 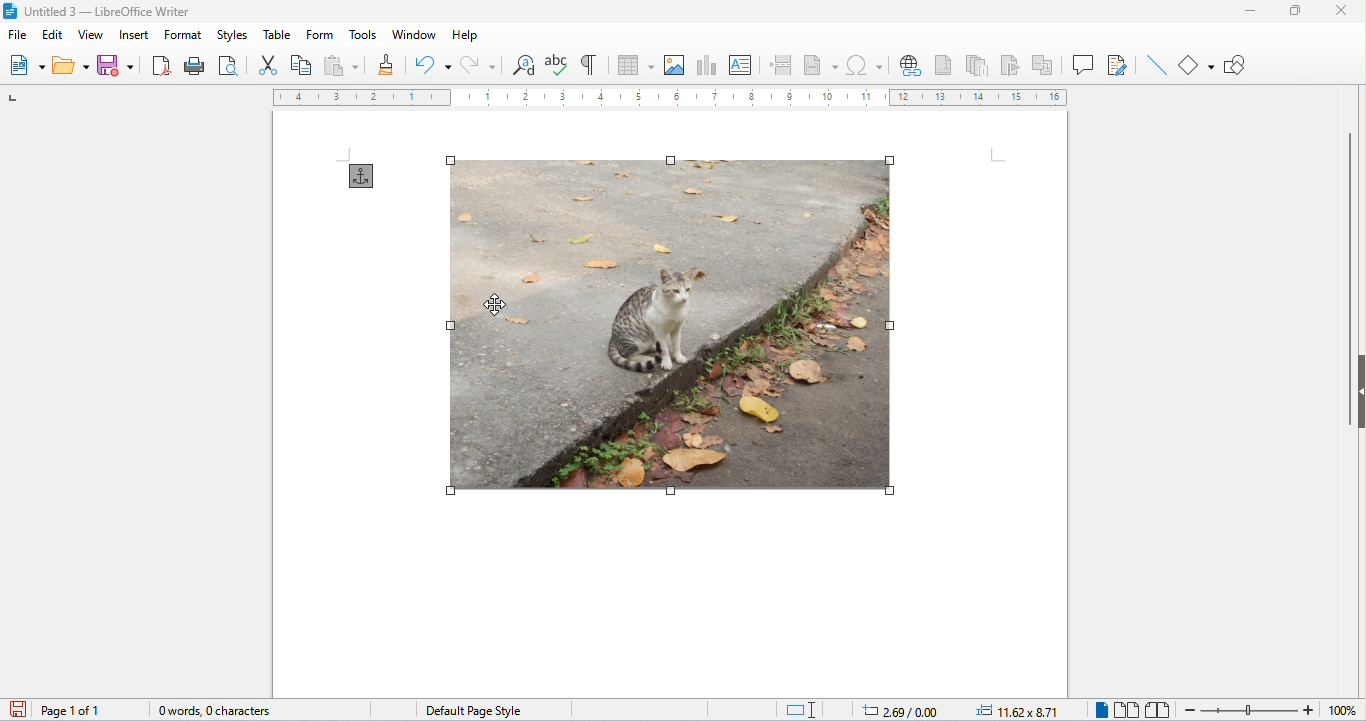 I want to click on edit, so click(x=53, y=35).